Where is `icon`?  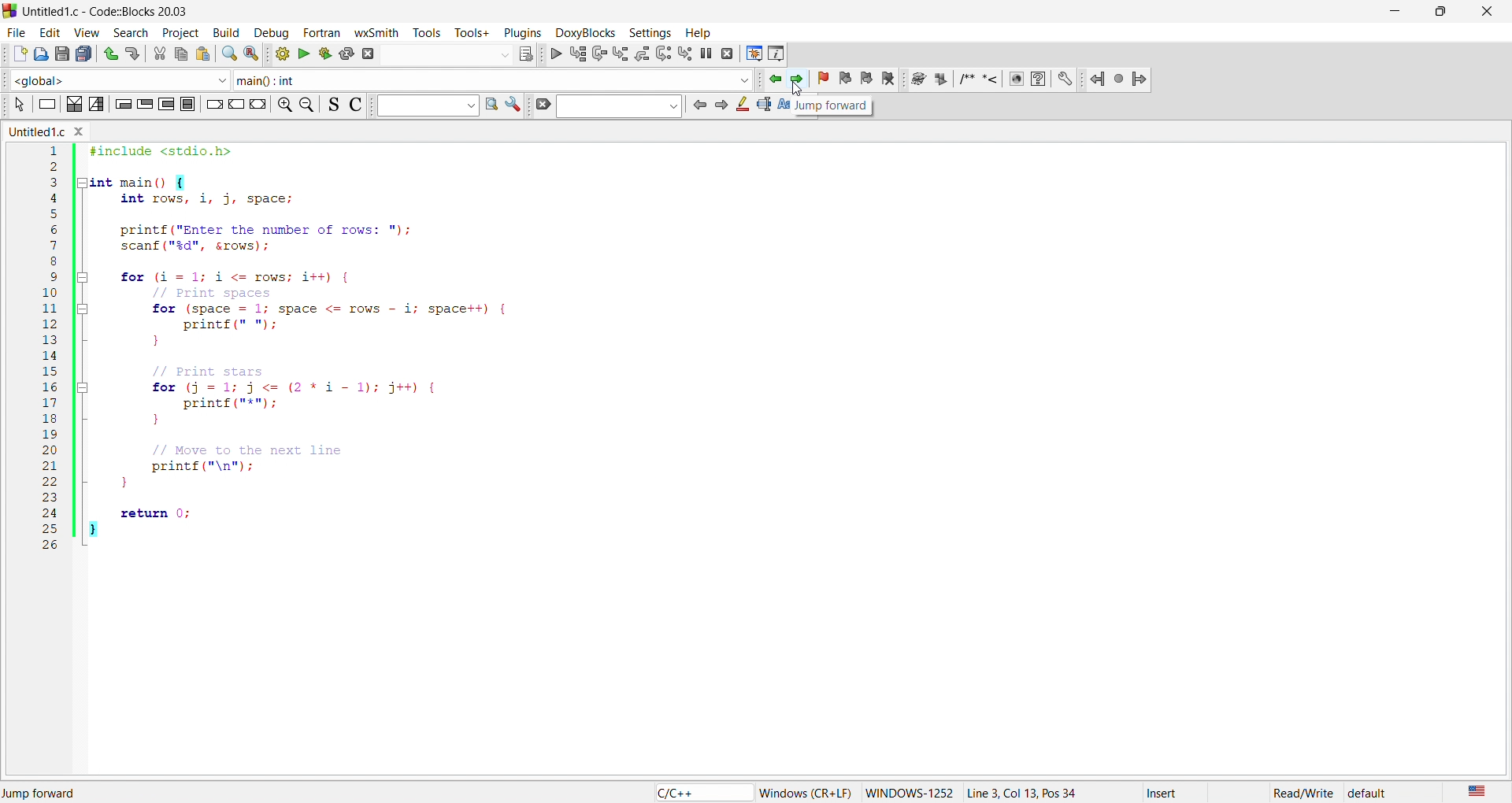 icon is located at coordinates (46, 105).